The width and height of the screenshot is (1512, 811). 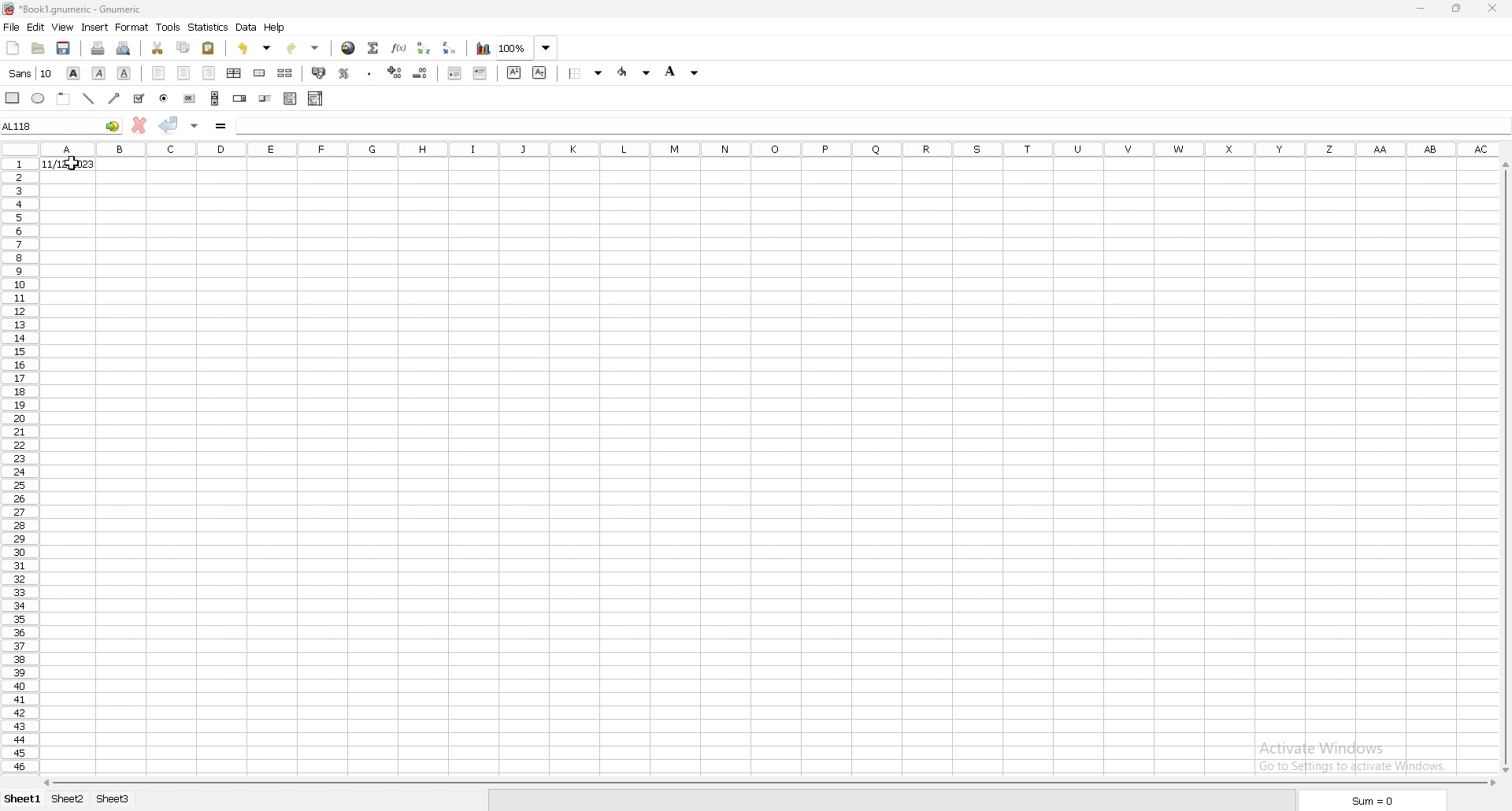 What do you see at coordinates (113, 799) in the screenshot?
I see `sheet 3` at bounding box center [113, 799].